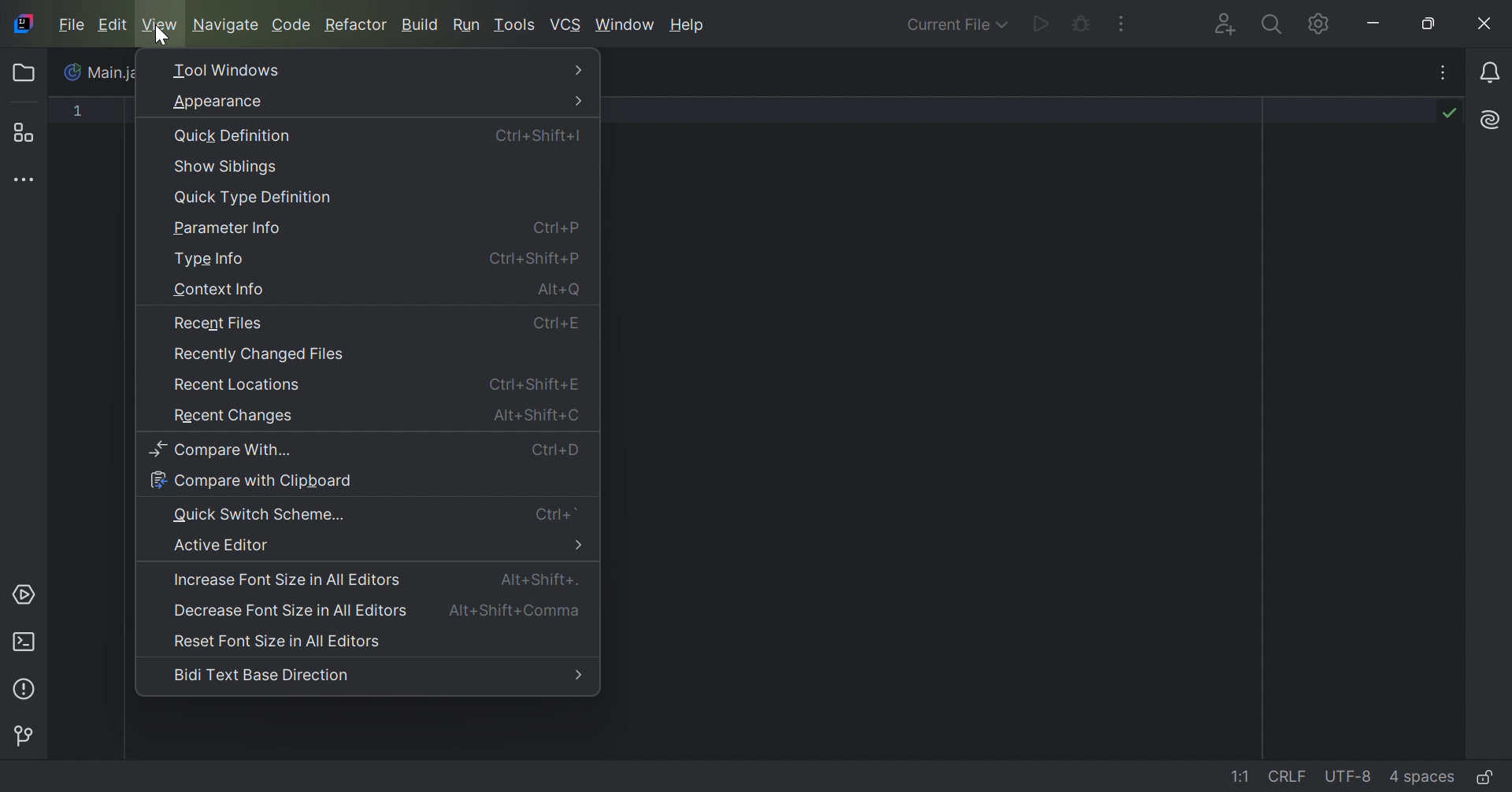 This screenshot has height=792, width=1512. Describe the element at coordinates (28, 181) in the screenshot. I see `More tool windows` at that location.